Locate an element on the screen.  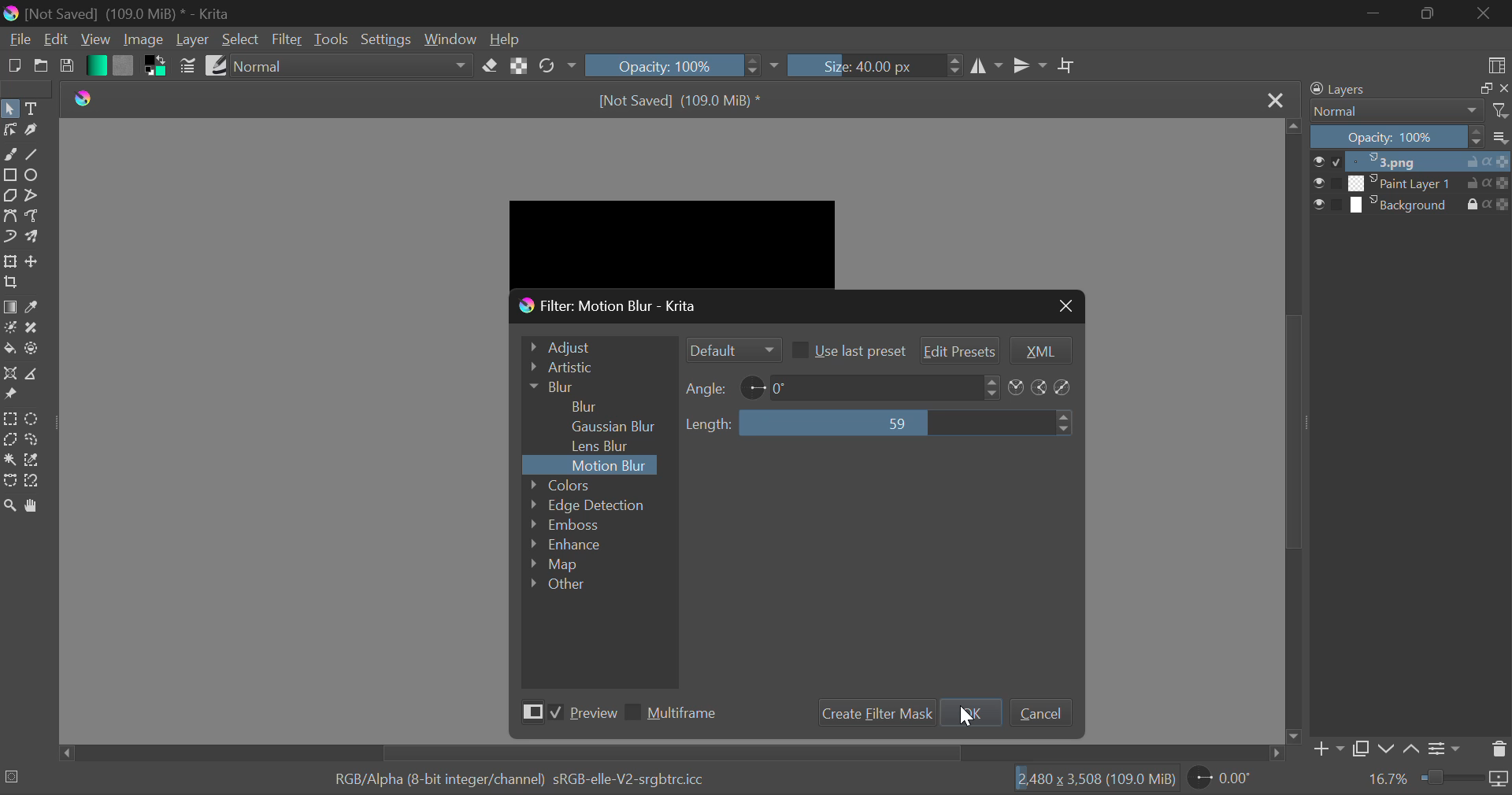
Gradient Fill is located at coordinates (9, 307).